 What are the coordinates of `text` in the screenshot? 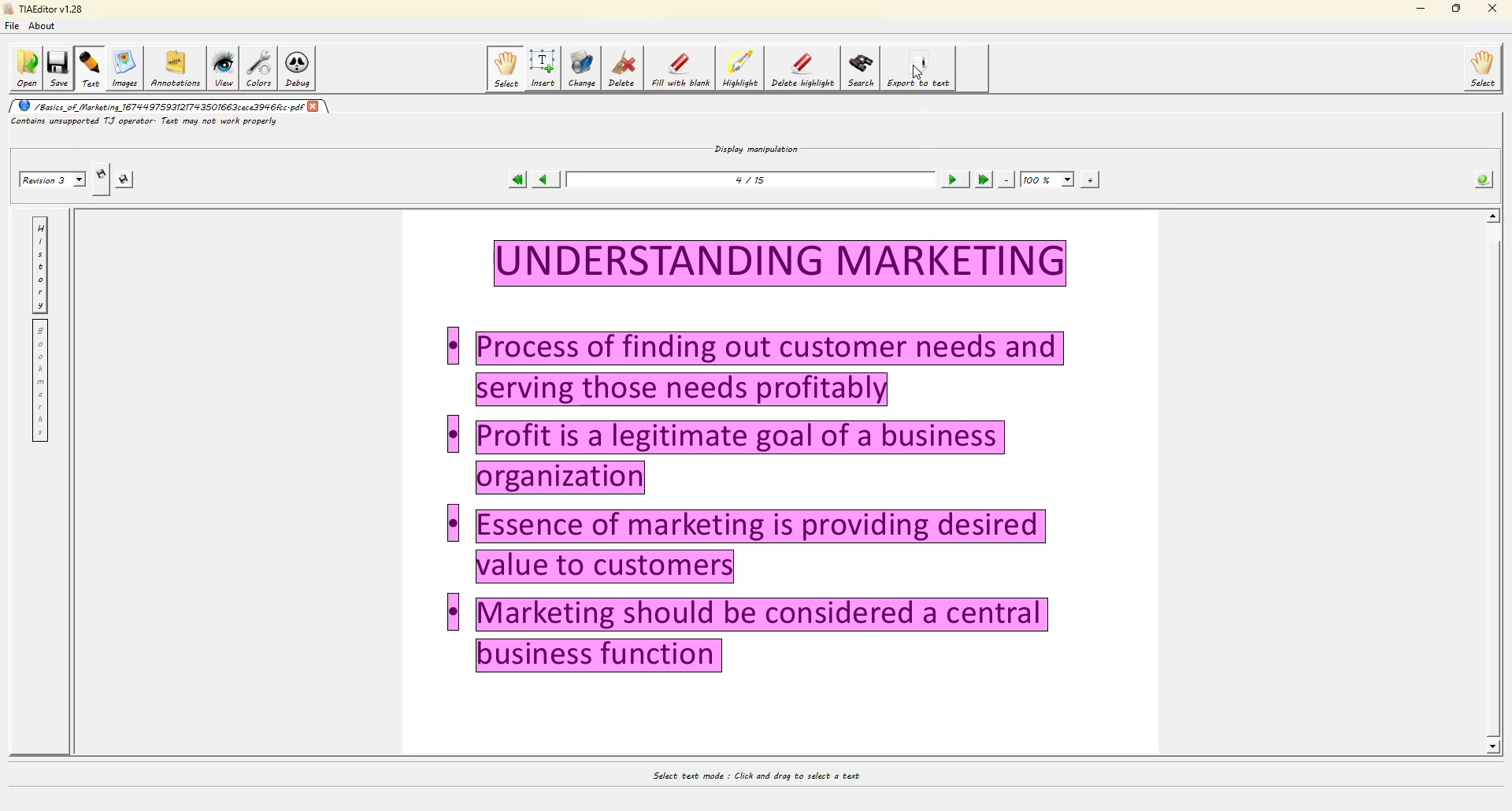 It's located at (779, 265).